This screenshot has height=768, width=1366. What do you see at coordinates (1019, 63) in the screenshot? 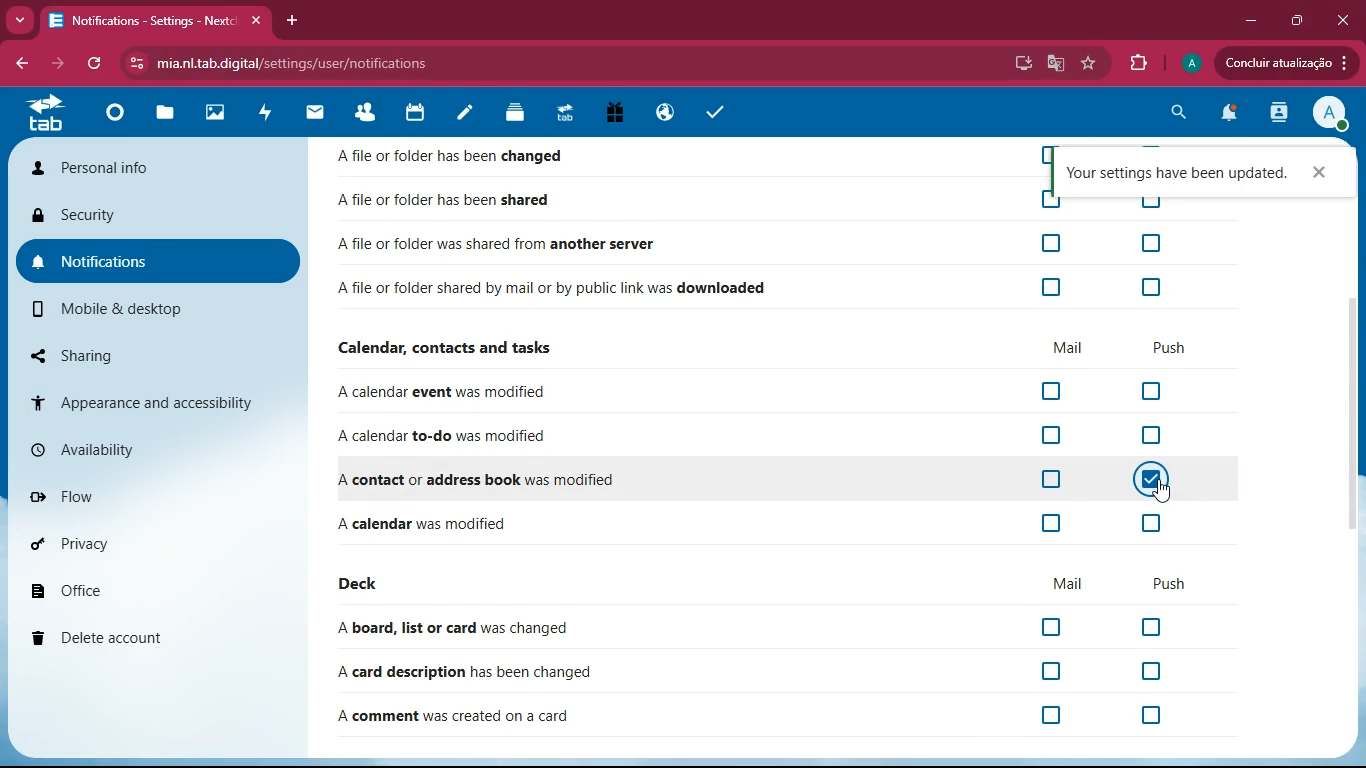
I see `desktop` at bounding box center [1019, 63].